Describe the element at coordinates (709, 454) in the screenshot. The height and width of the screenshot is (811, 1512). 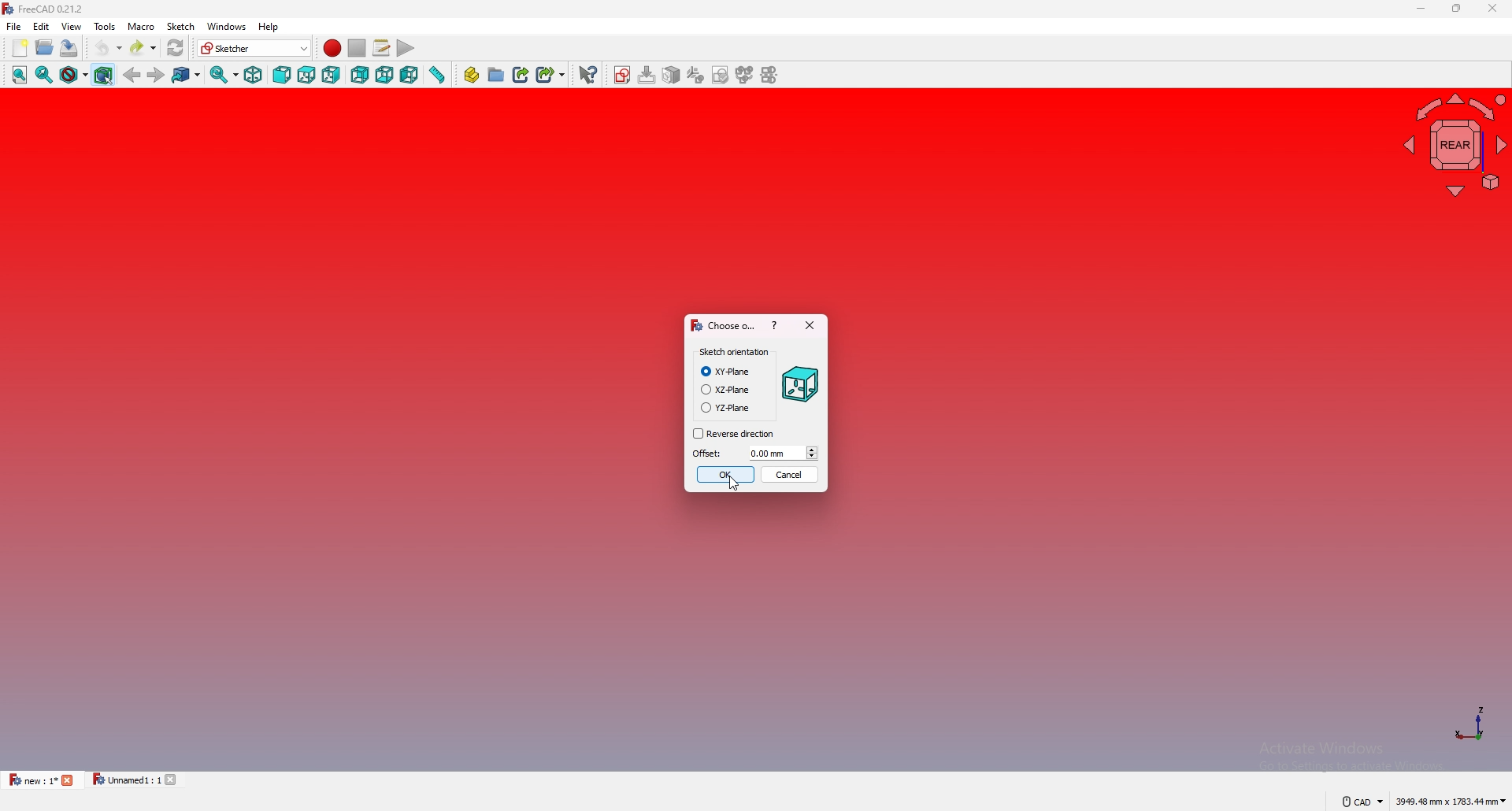
I see `offset:` at that location.